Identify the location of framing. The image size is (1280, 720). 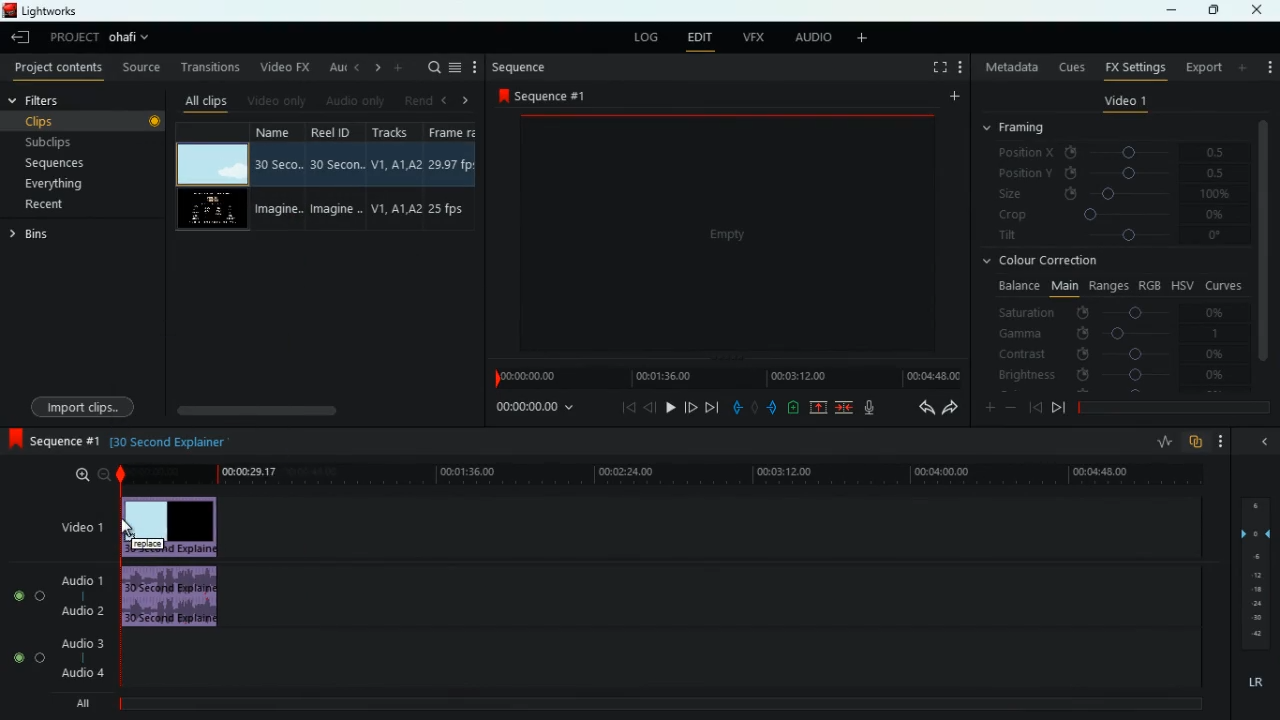
(1016, 128).